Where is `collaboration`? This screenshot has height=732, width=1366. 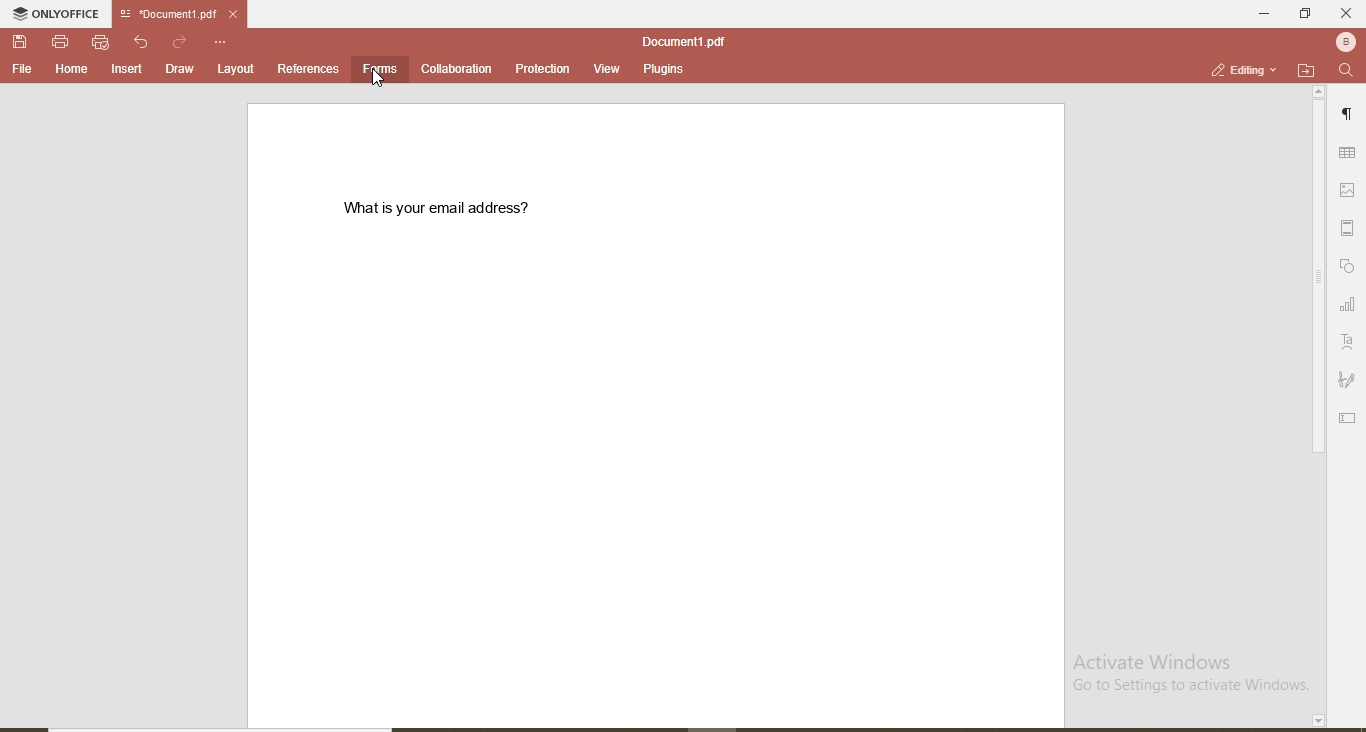
collaboration is located at coordinates (458, 69).